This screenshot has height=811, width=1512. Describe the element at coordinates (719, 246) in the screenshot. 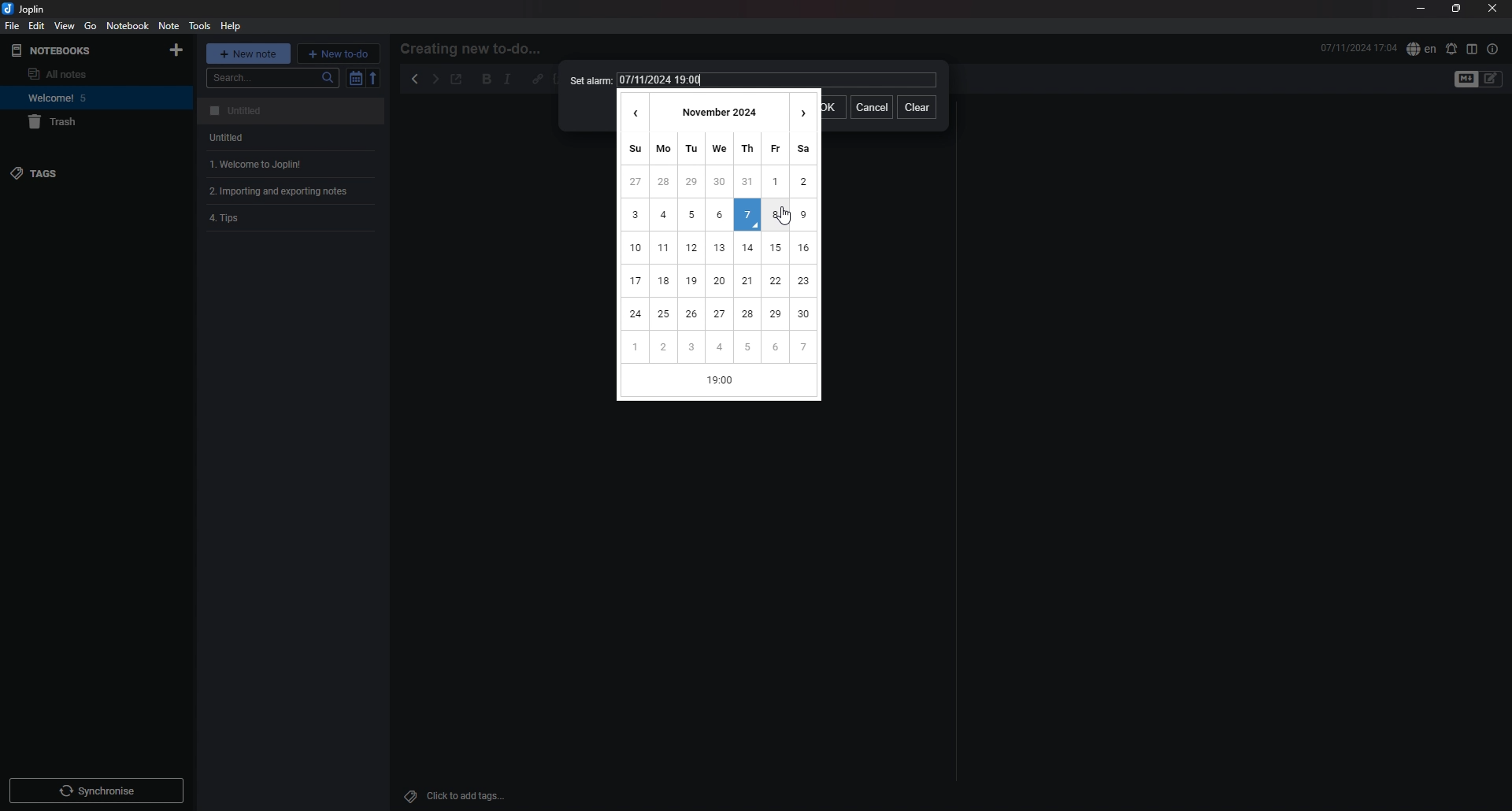

I see `date selection` at that location.